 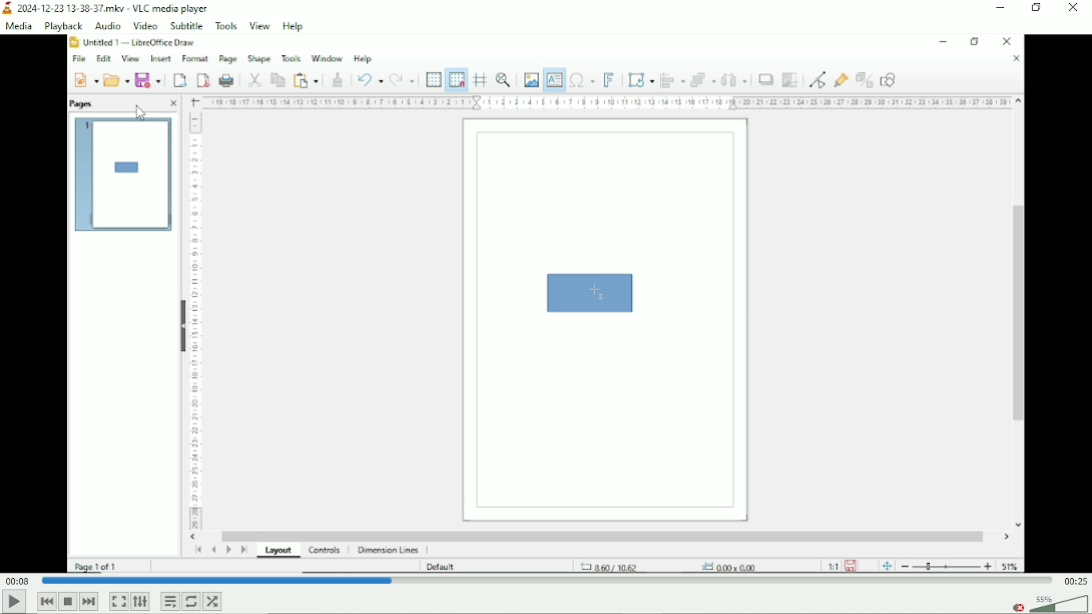 What do you see at coordinates (18, 581) in the screenshot?
I see `Elapsed time` at bounding box center [18, 581].